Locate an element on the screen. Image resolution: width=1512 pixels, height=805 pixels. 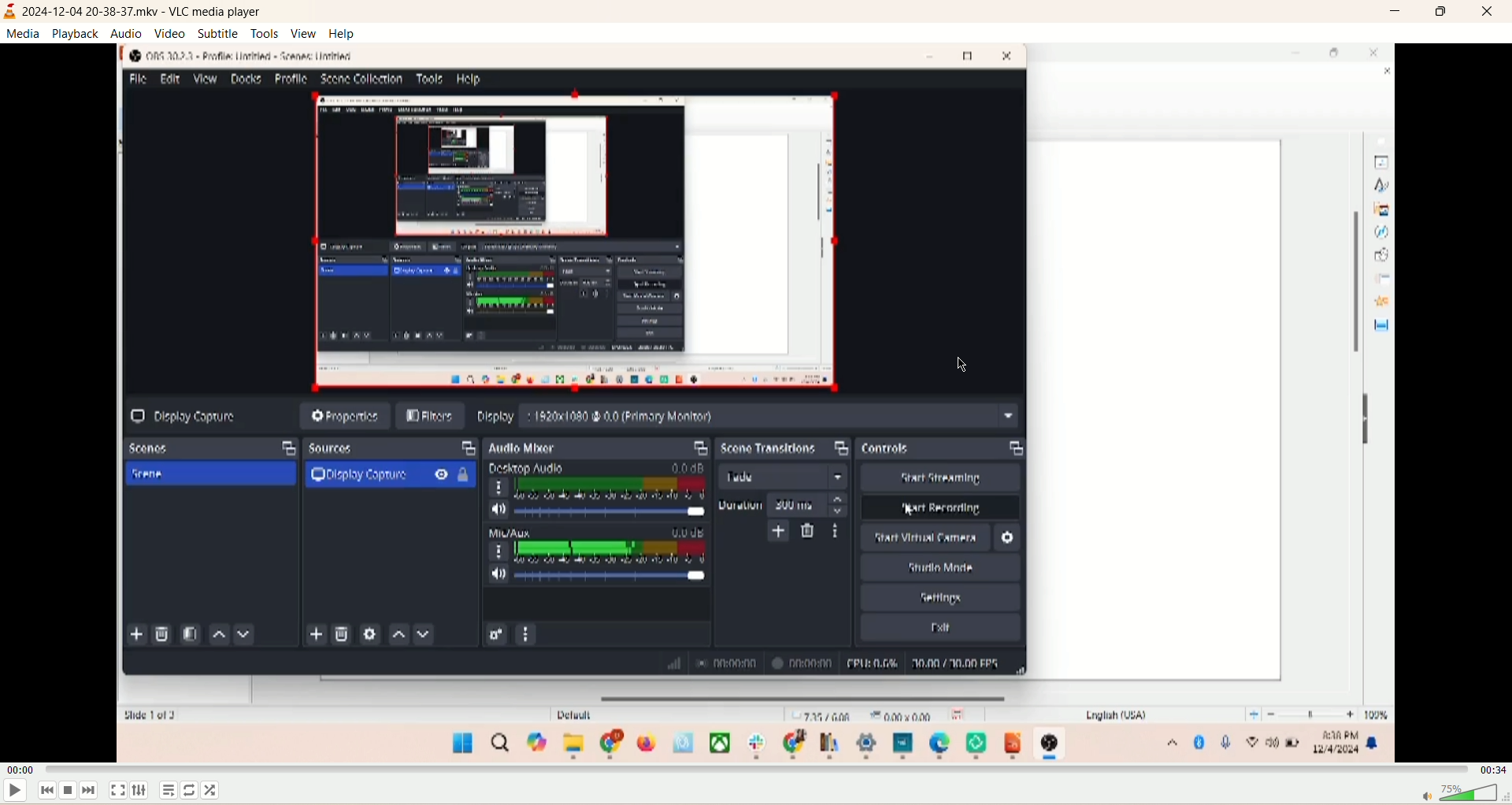
volume bar is located at coordinates (1462, 792).